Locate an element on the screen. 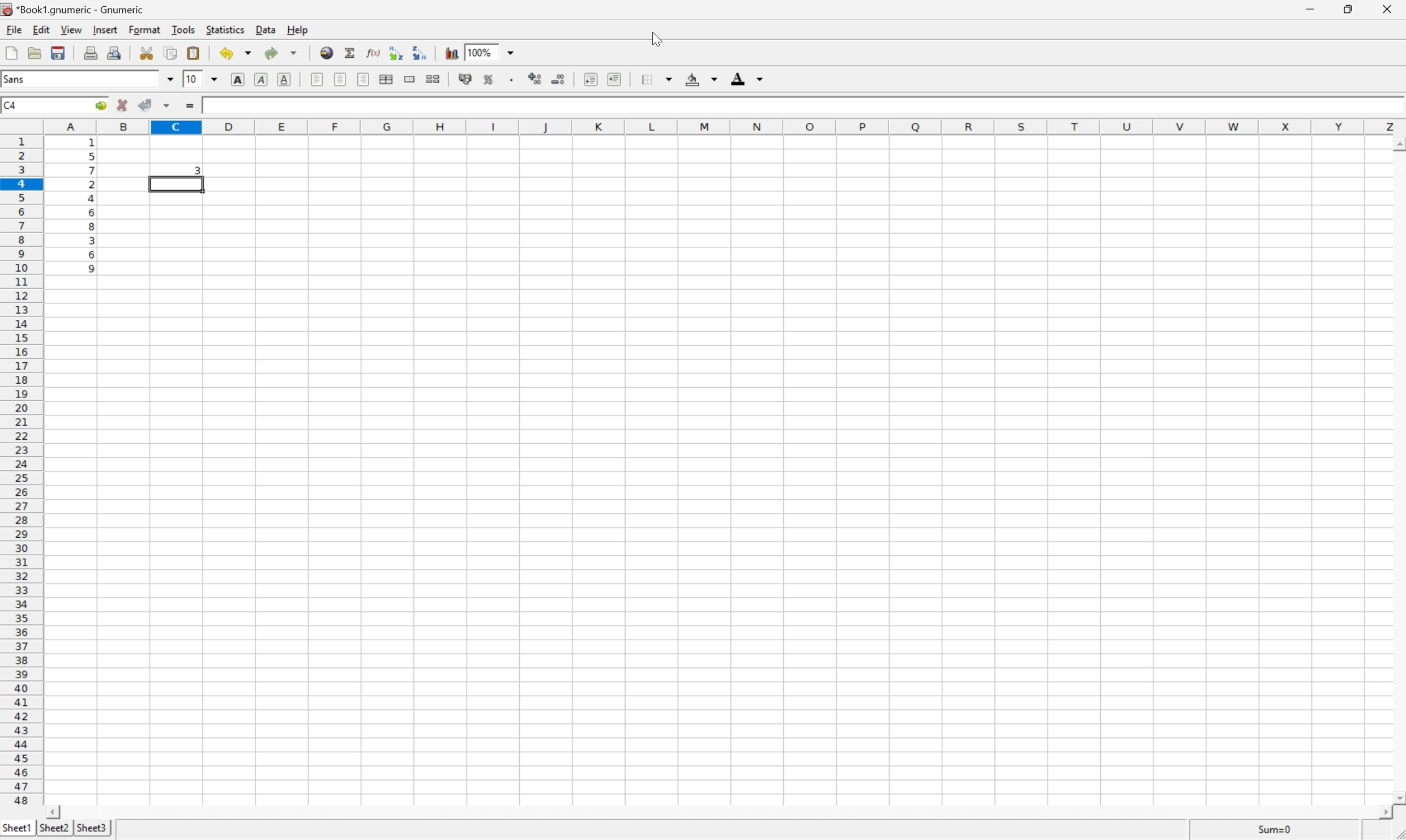 Image resolution: width=1406 pixels, height=840 pixels. scroll left is located at coordinates (54, 811).